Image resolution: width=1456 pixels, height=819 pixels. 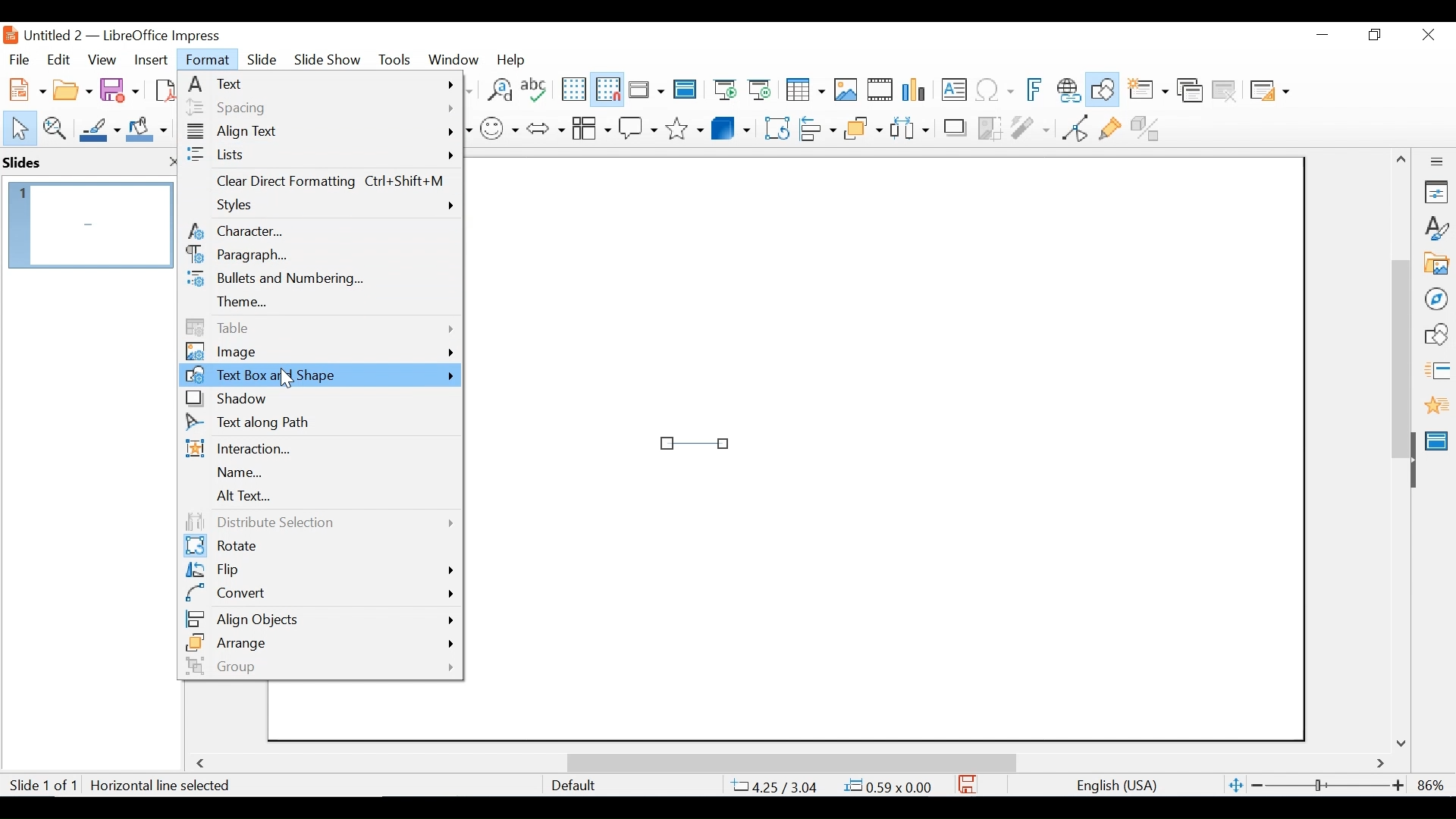 What do you see at coordinates (909, 127) in the screenshot?
I see `Select atleast three images to Distribute` at bounding box center [909, 127].